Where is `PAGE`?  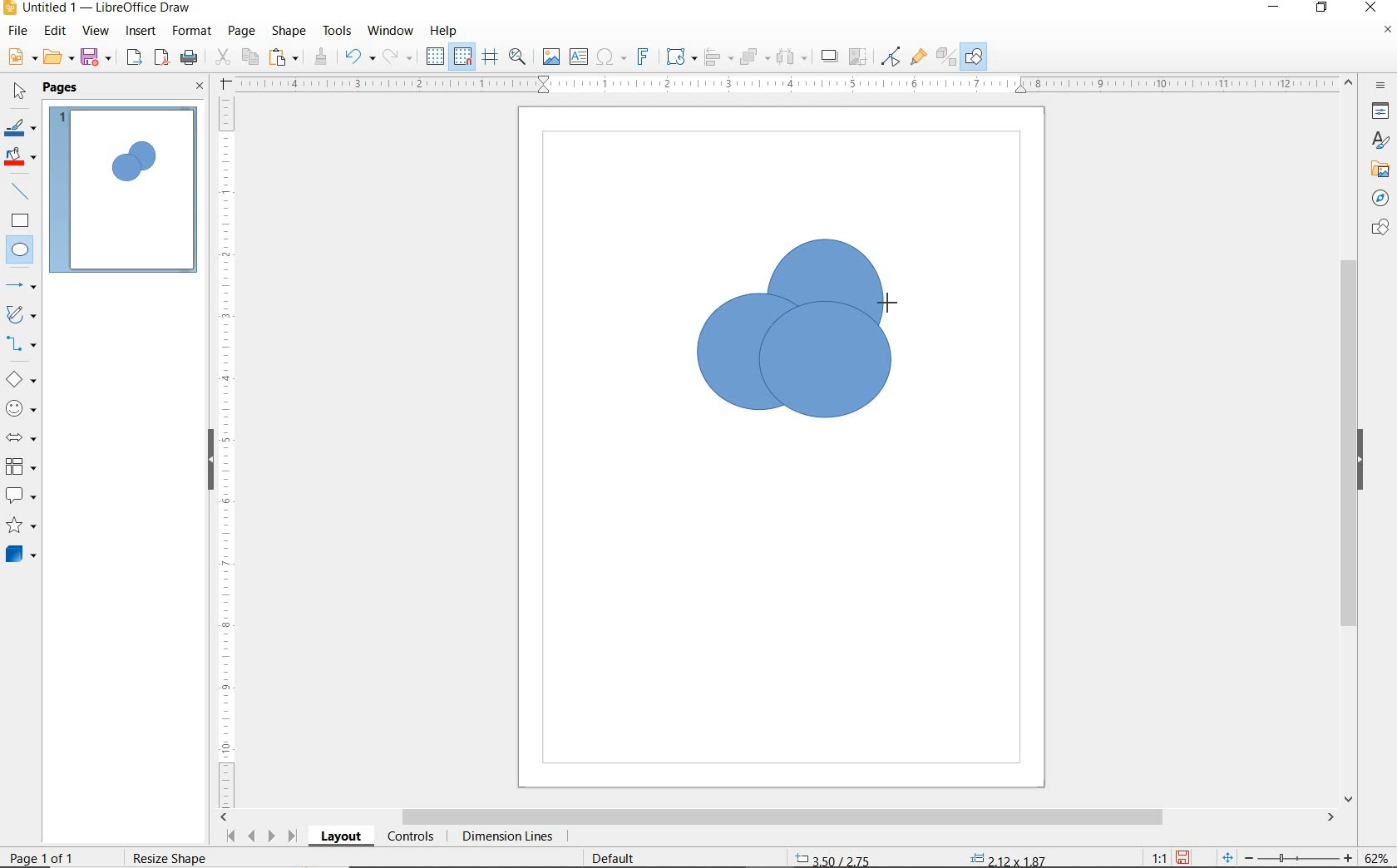 PAGE is located at coordinates (241, 31).